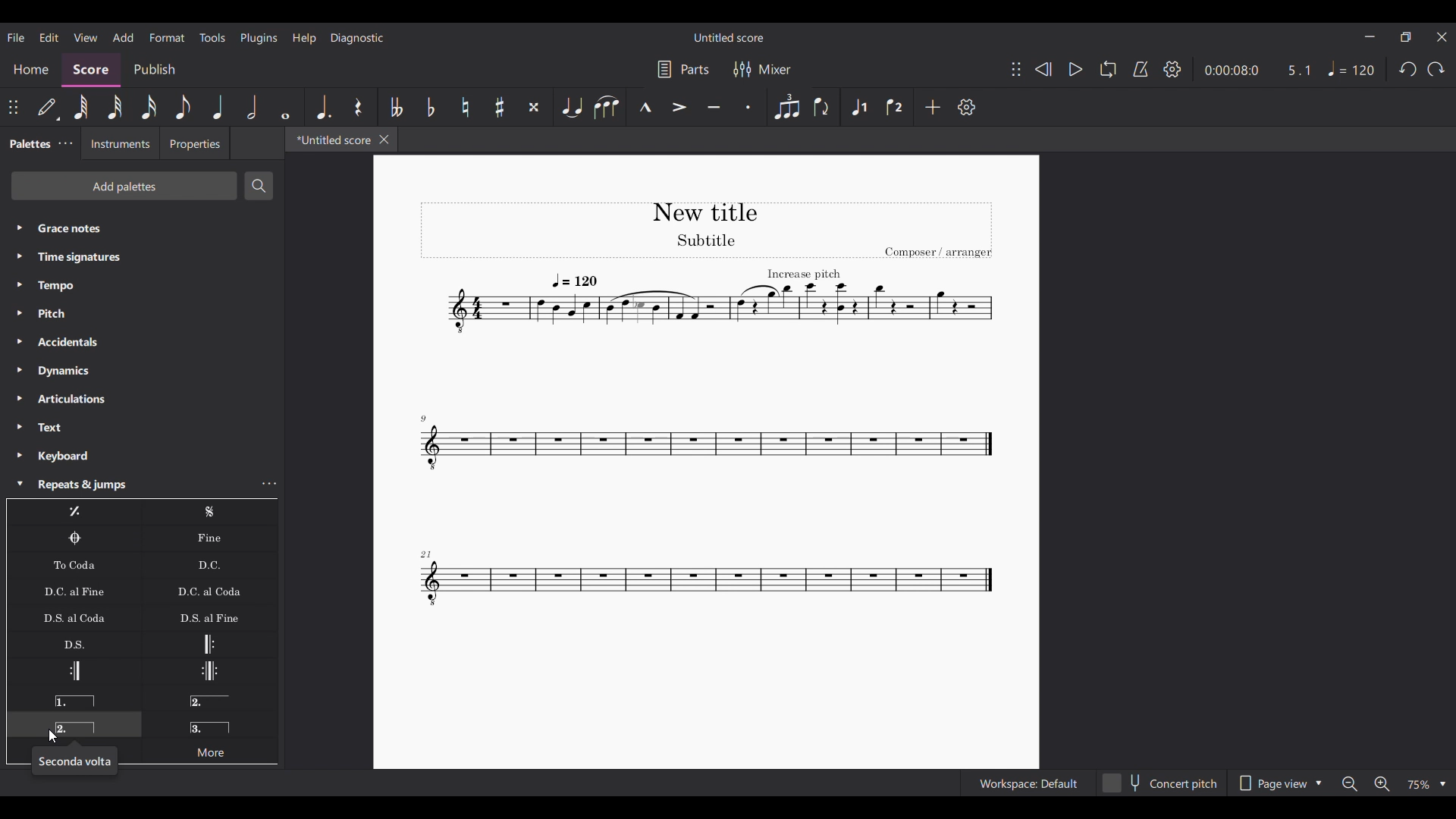 The image size is (1456, 819). I want to click on Instruments, so click(120, 143).